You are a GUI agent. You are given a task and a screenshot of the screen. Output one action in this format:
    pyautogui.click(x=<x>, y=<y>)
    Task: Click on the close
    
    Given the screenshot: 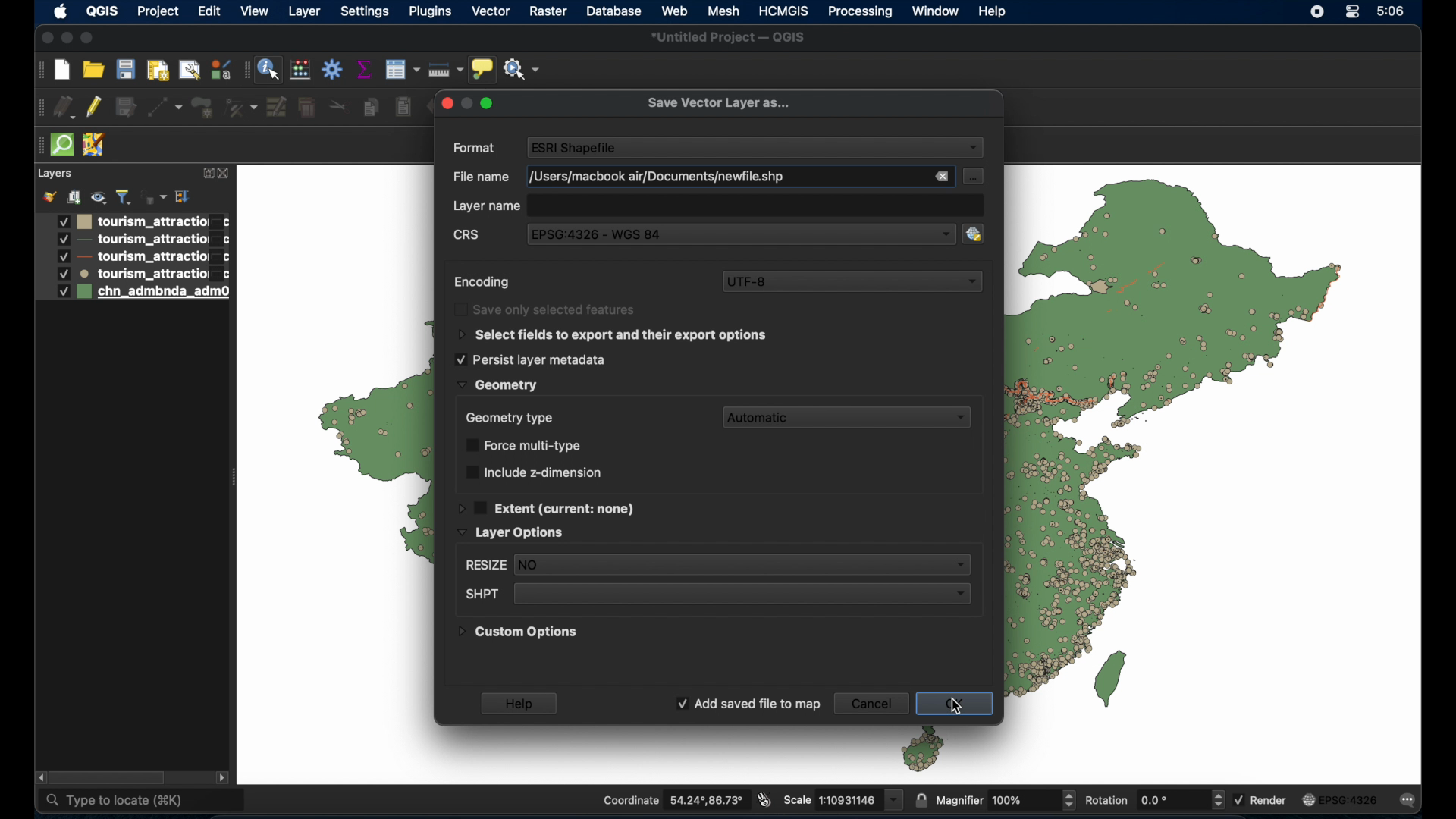 What is the action you would take?
    pyautogui.click(x=940, y=177)
    